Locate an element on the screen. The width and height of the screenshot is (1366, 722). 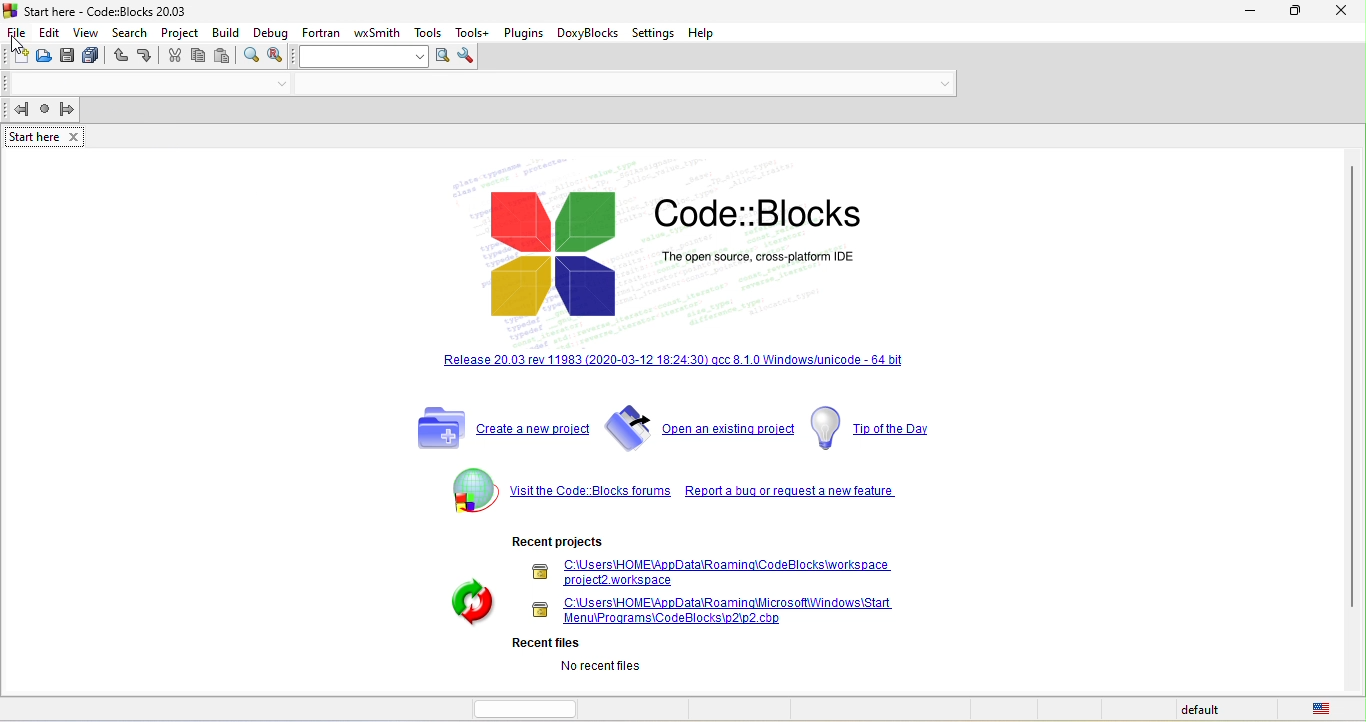
edit is located at coordinates (50, 31).